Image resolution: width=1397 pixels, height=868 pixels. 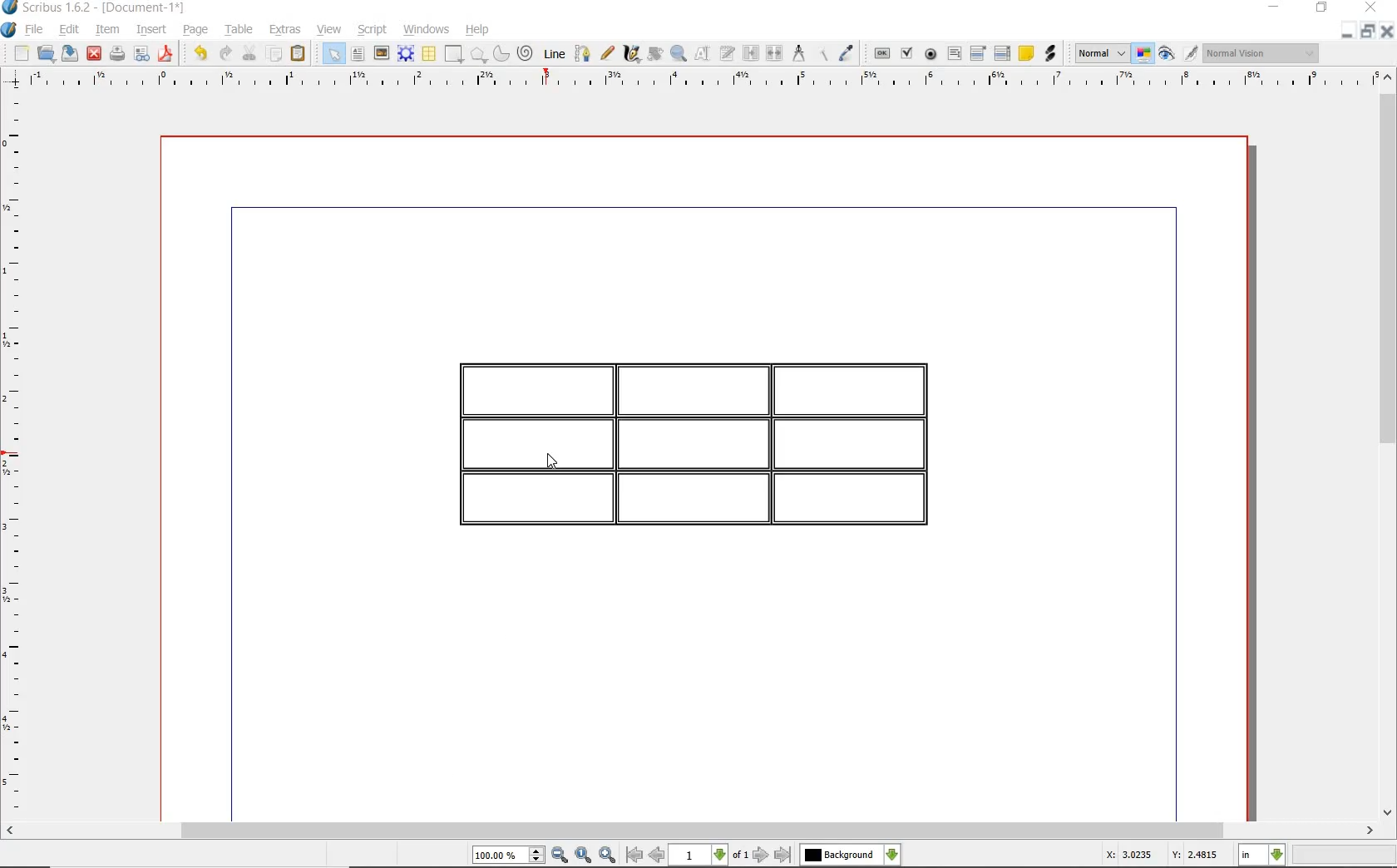 What do you see at coordinates (17, 454) in the screenshot?
I see `ruler` at bounding box center [17, 454].